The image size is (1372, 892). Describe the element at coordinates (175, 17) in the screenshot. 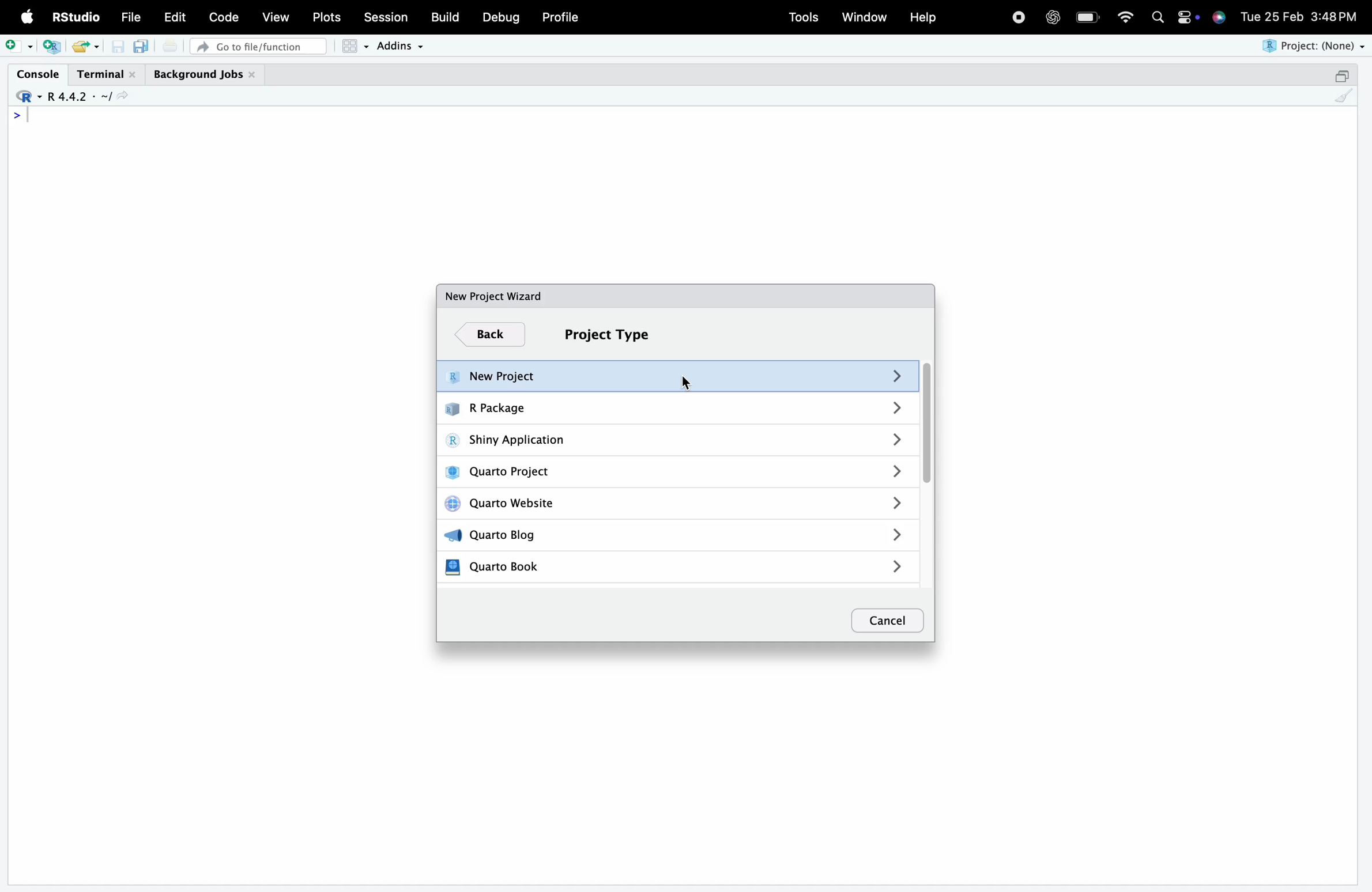

I see `Edit` at that location.